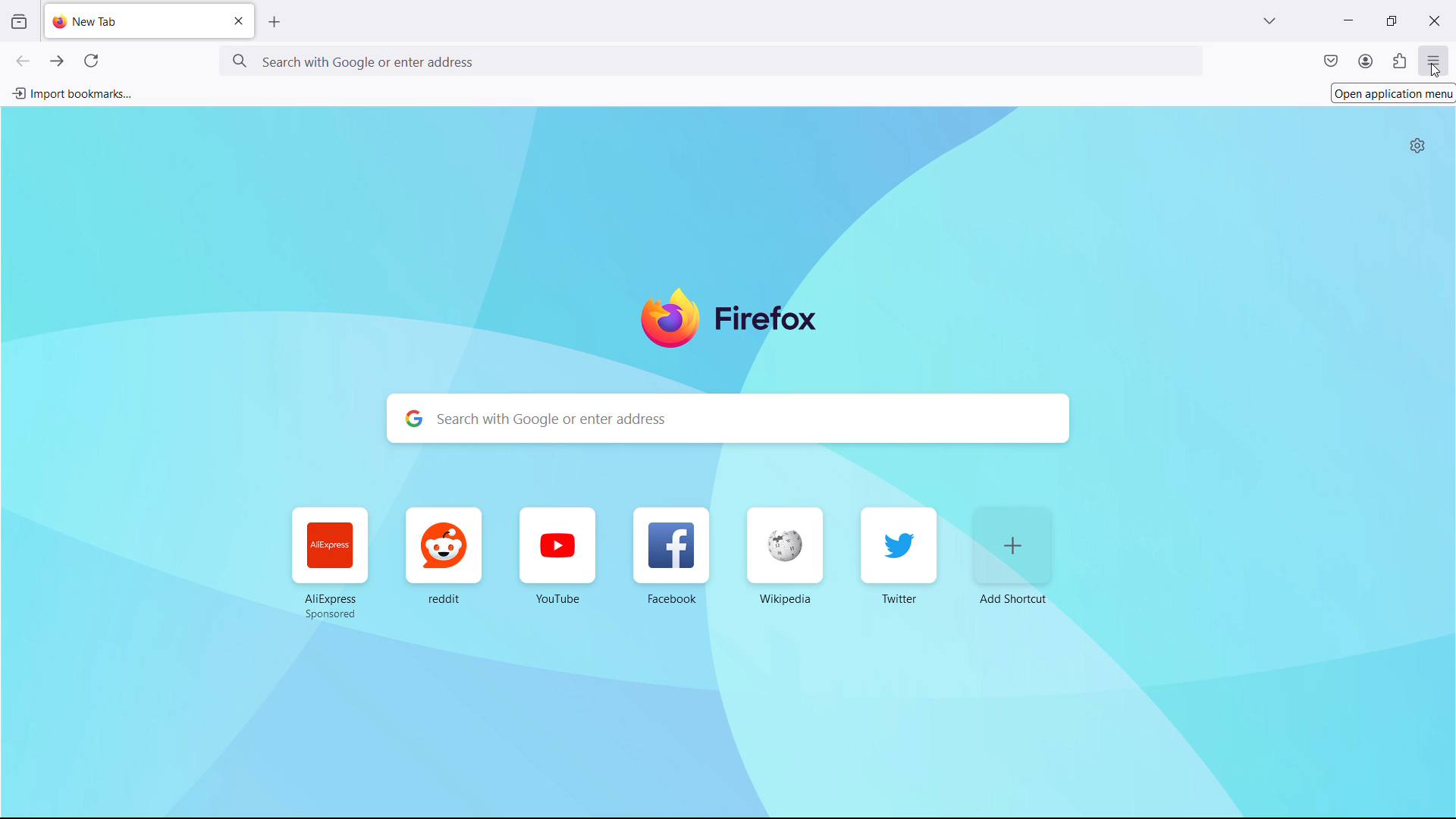 The height and width of the screenshot is (819, 1456). What do you see at coordinates (730, 419) in the screenshot?
I see `search with google or enter address` at bounding box center [730, 419].